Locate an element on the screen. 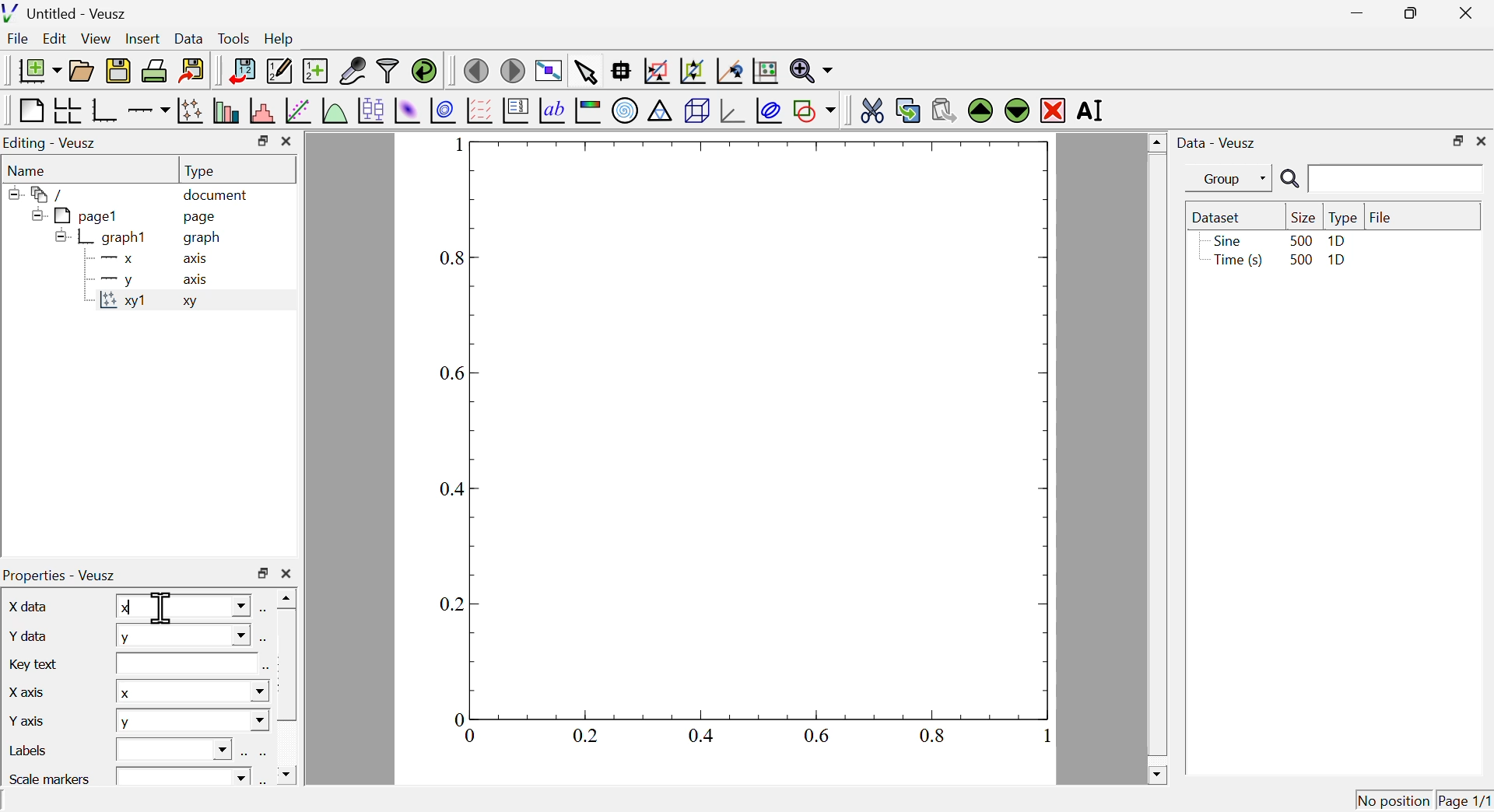  close is located at coordinates (288, 142).